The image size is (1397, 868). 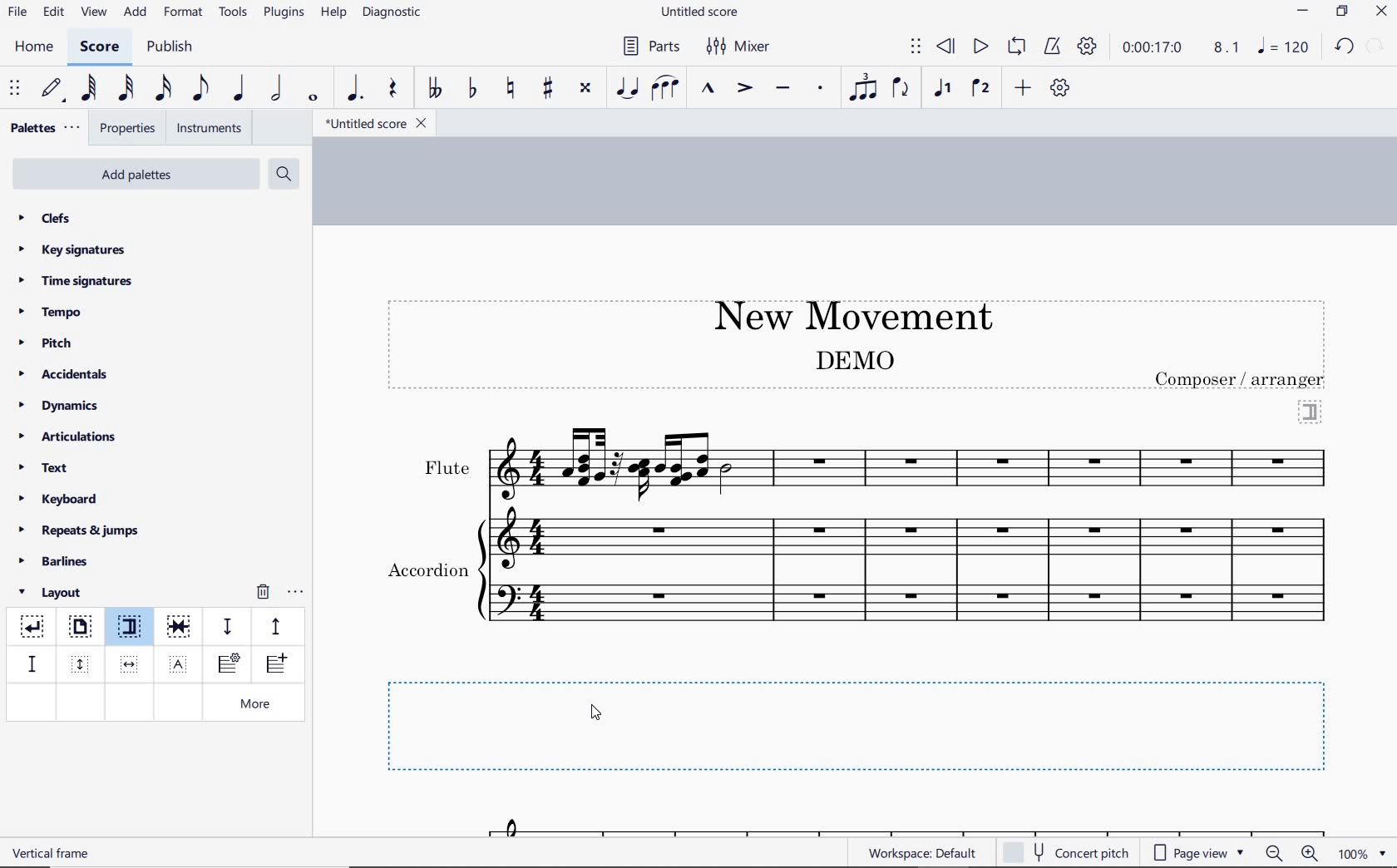 I want to click on layout, so click(x=53, y=593).